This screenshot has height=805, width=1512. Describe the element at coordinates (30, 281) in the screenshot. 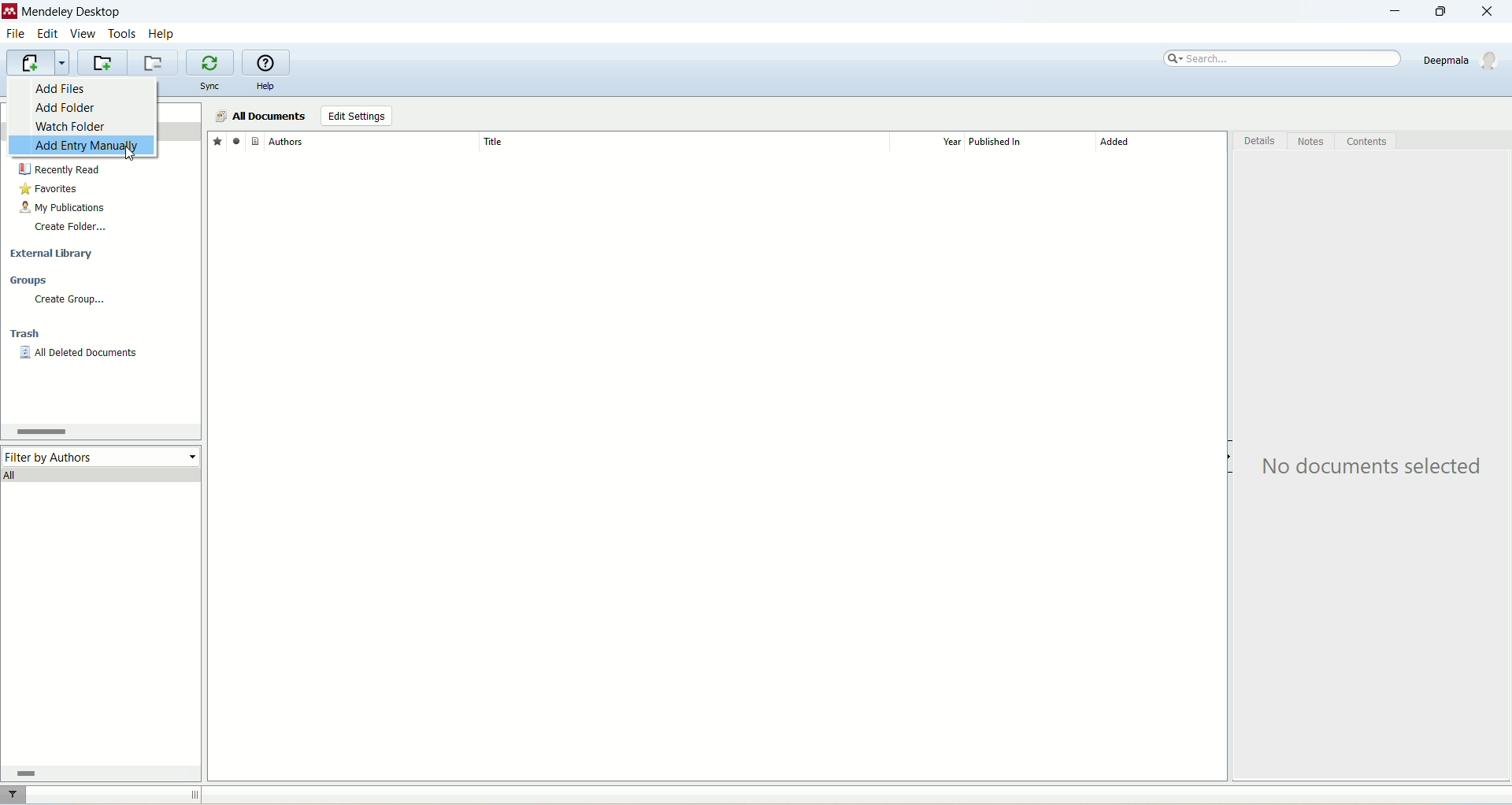

I see `groups` at that location.